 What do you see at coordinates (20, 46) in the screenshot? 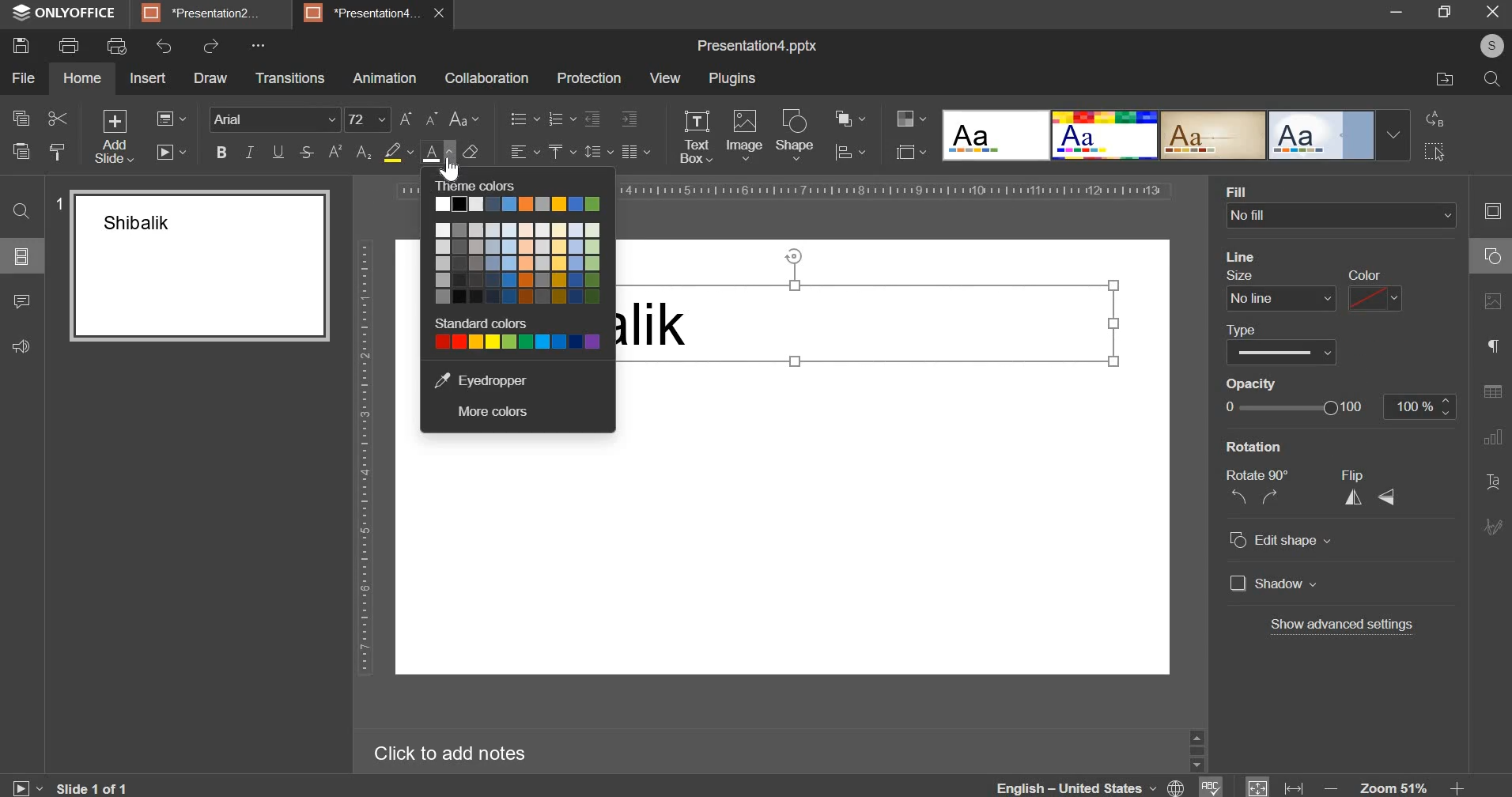
I see `save` at bounding box center [20, 46].